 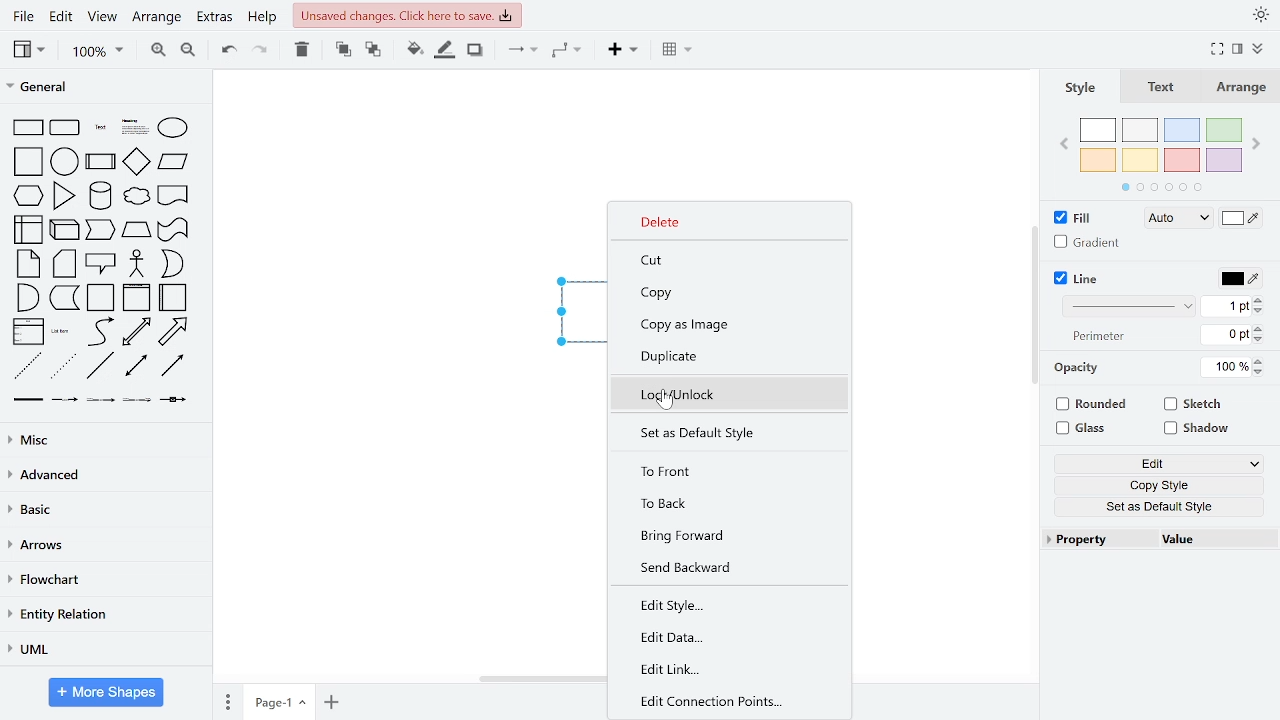 I want to click on opacity, so click(x=1083, y=367).